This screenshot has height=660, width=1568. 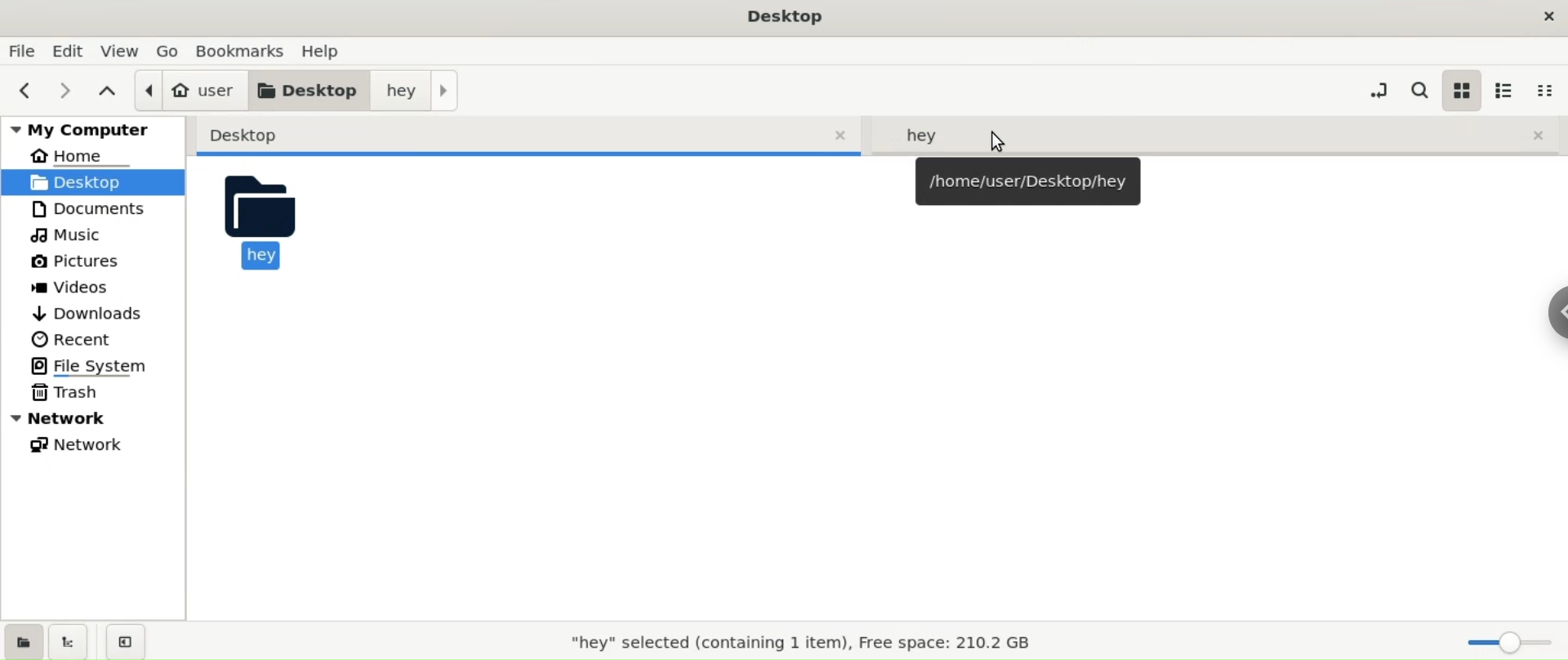 What do you see at coordinates (240, 51) in the screenshot?
I see `bookmarks` at bounding box center [240, 51].